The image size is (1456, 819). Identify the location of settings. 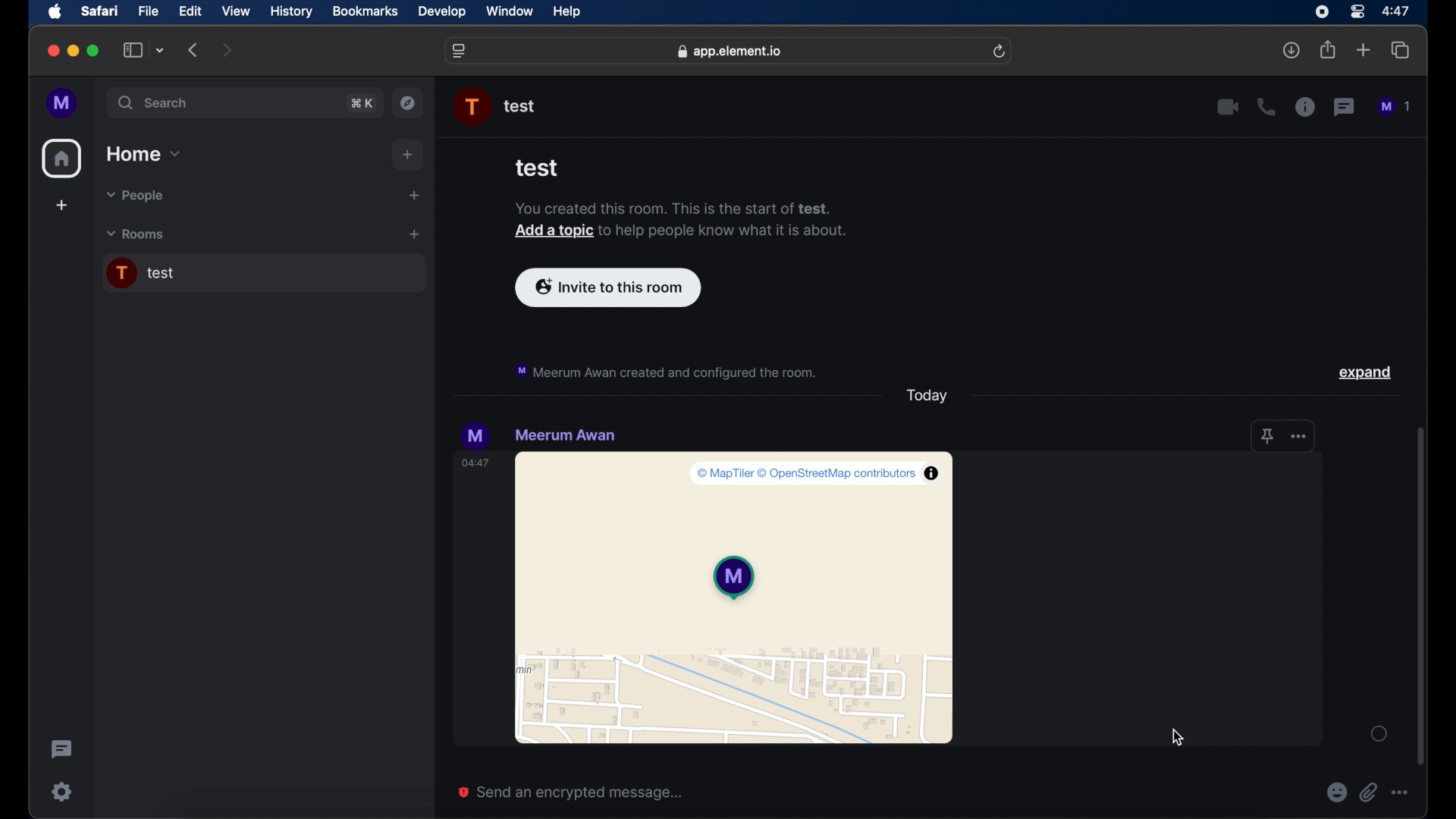
(61, 791).